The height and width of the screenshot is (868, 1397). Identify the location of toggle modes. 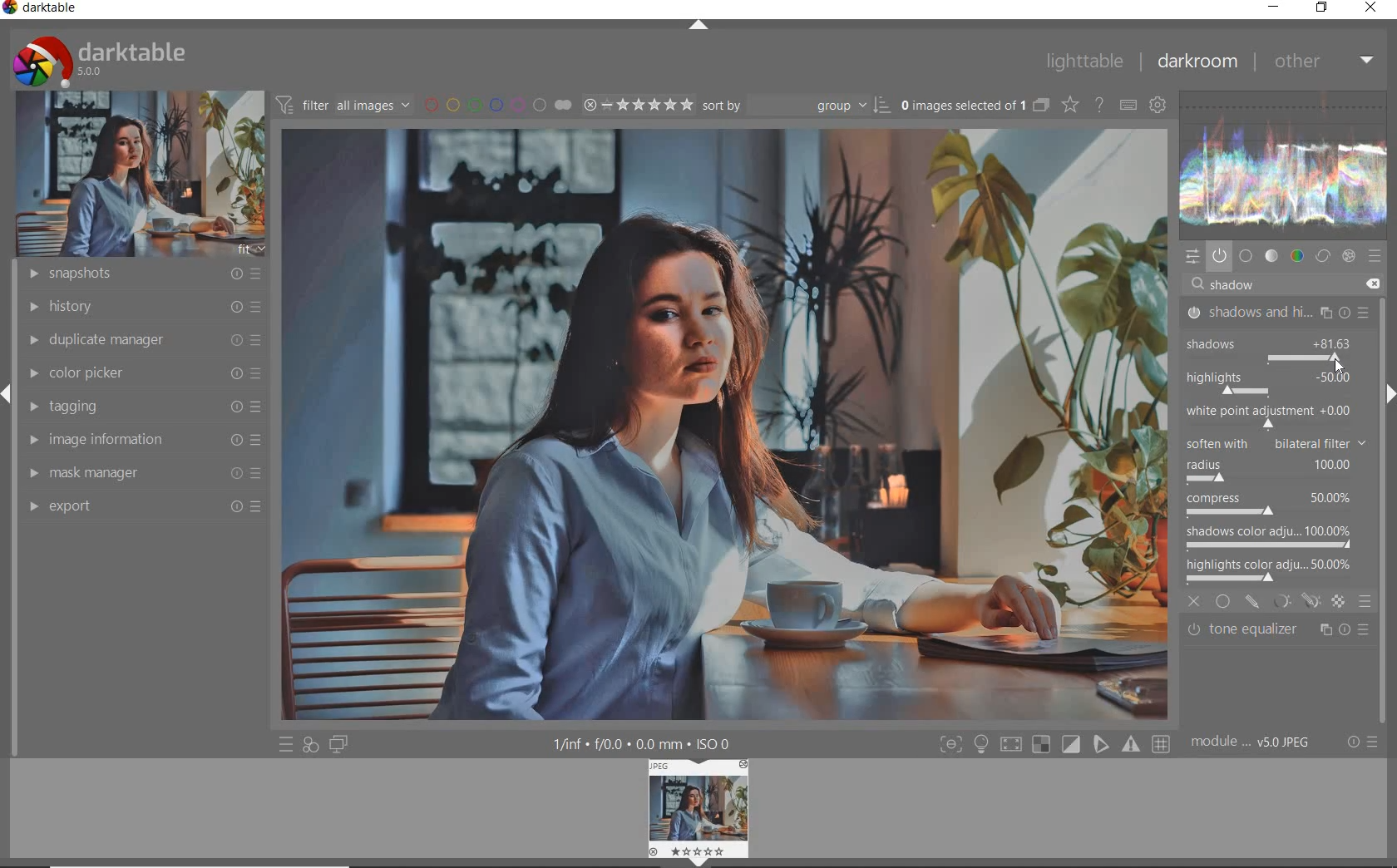
(1054, 744).